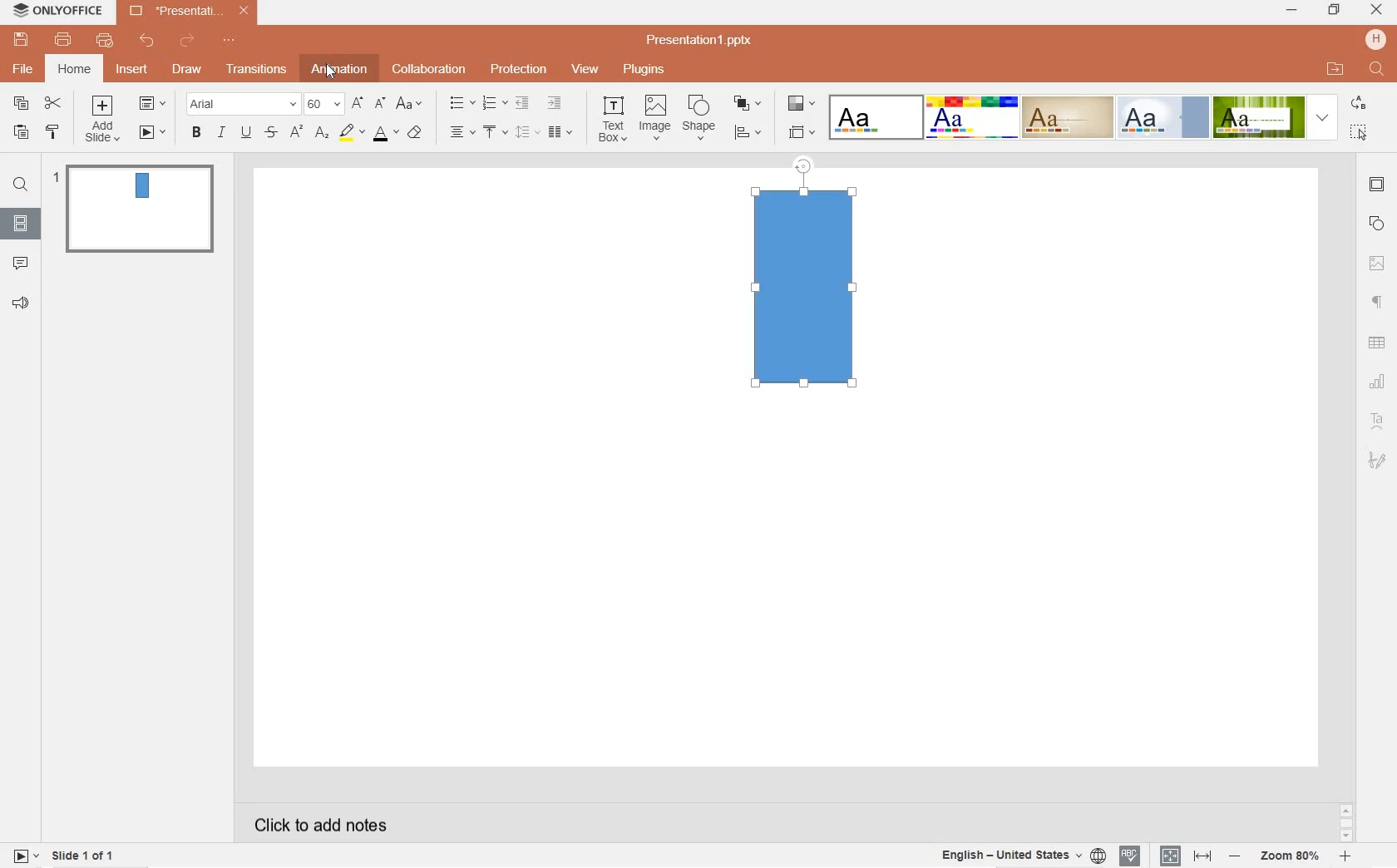 This screenshot has width=1397, height=868. What do you see at coordinates (1378, 70) in the screenshot?
I see `FIND` at bounding box center [1378, 70].